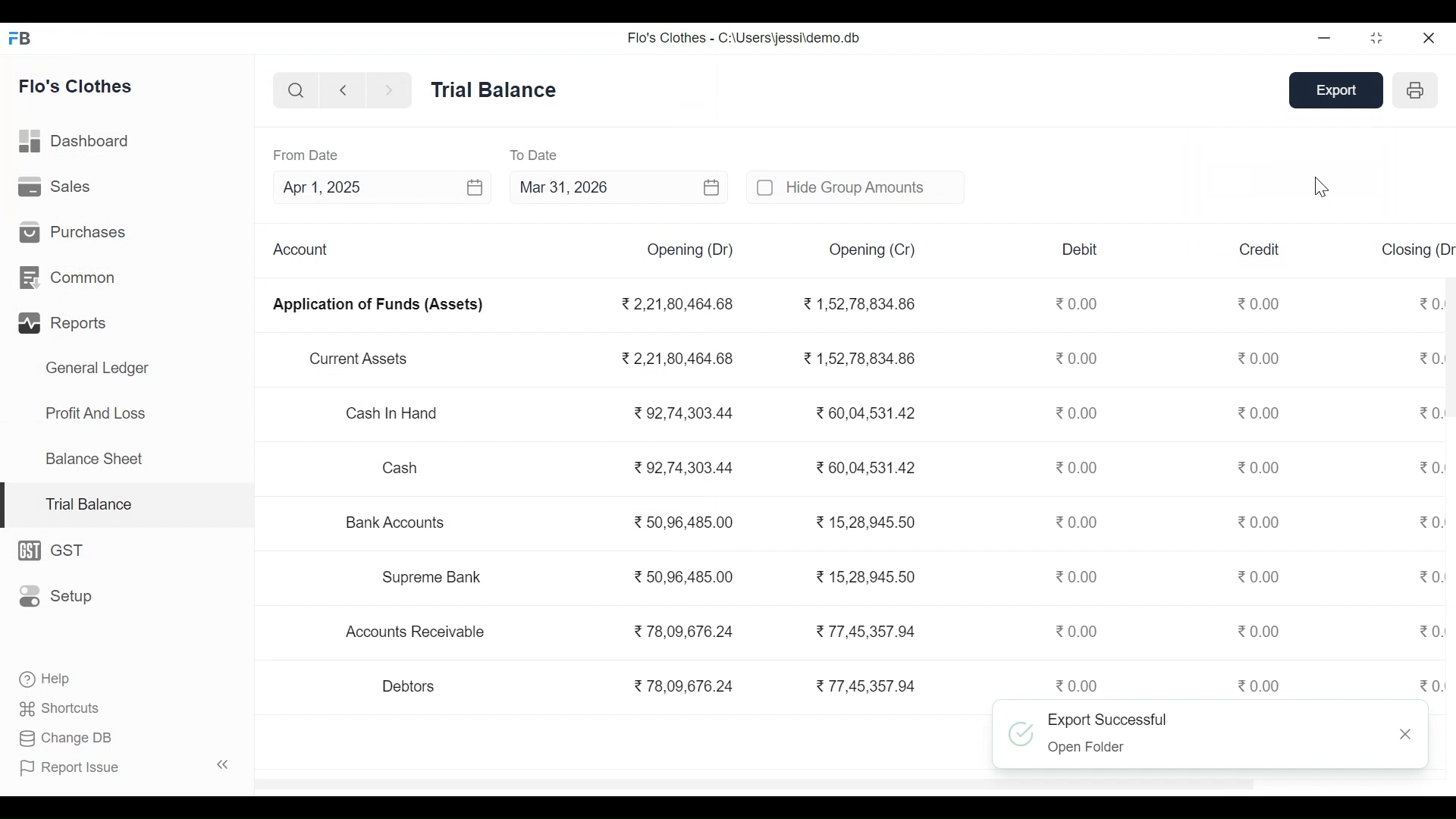 This screenshot has width=1456, height=819. Describe the element at coordinates (341, 89) in the screenshot. I see `Move back` at that location.